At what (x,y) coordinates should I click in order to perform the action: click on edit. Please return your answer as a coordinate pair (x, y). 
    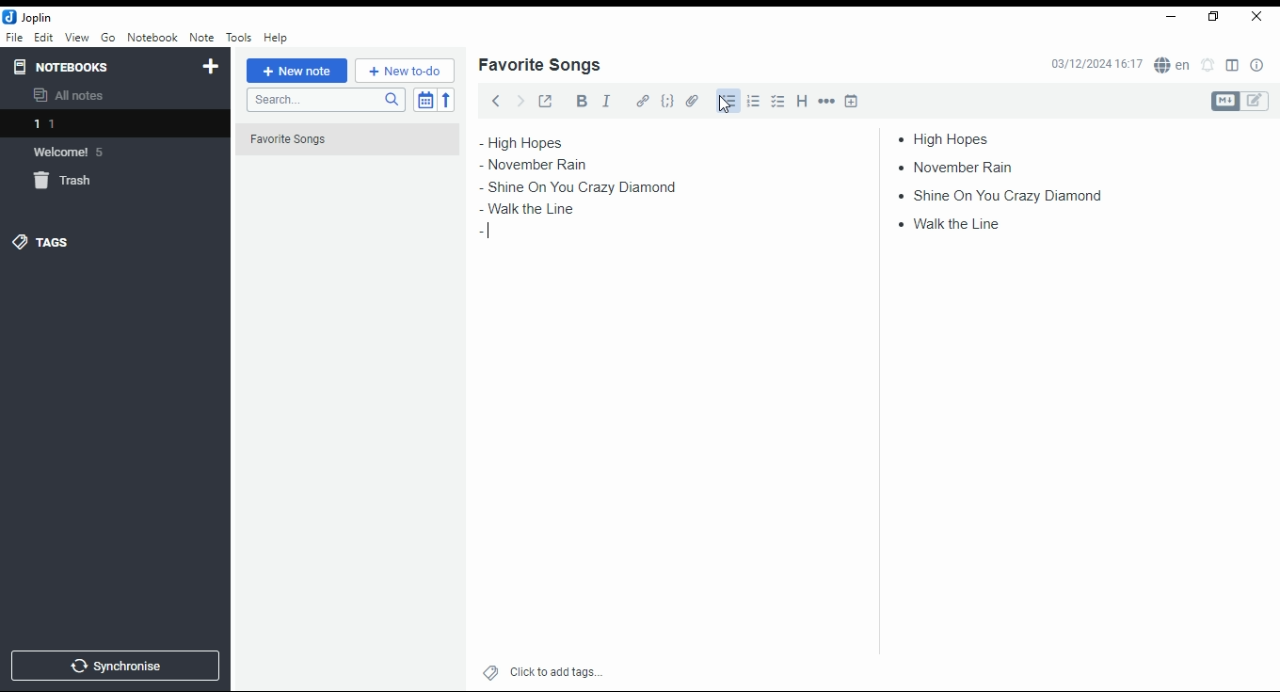
    Looking at the image, I should click on (43, 36).